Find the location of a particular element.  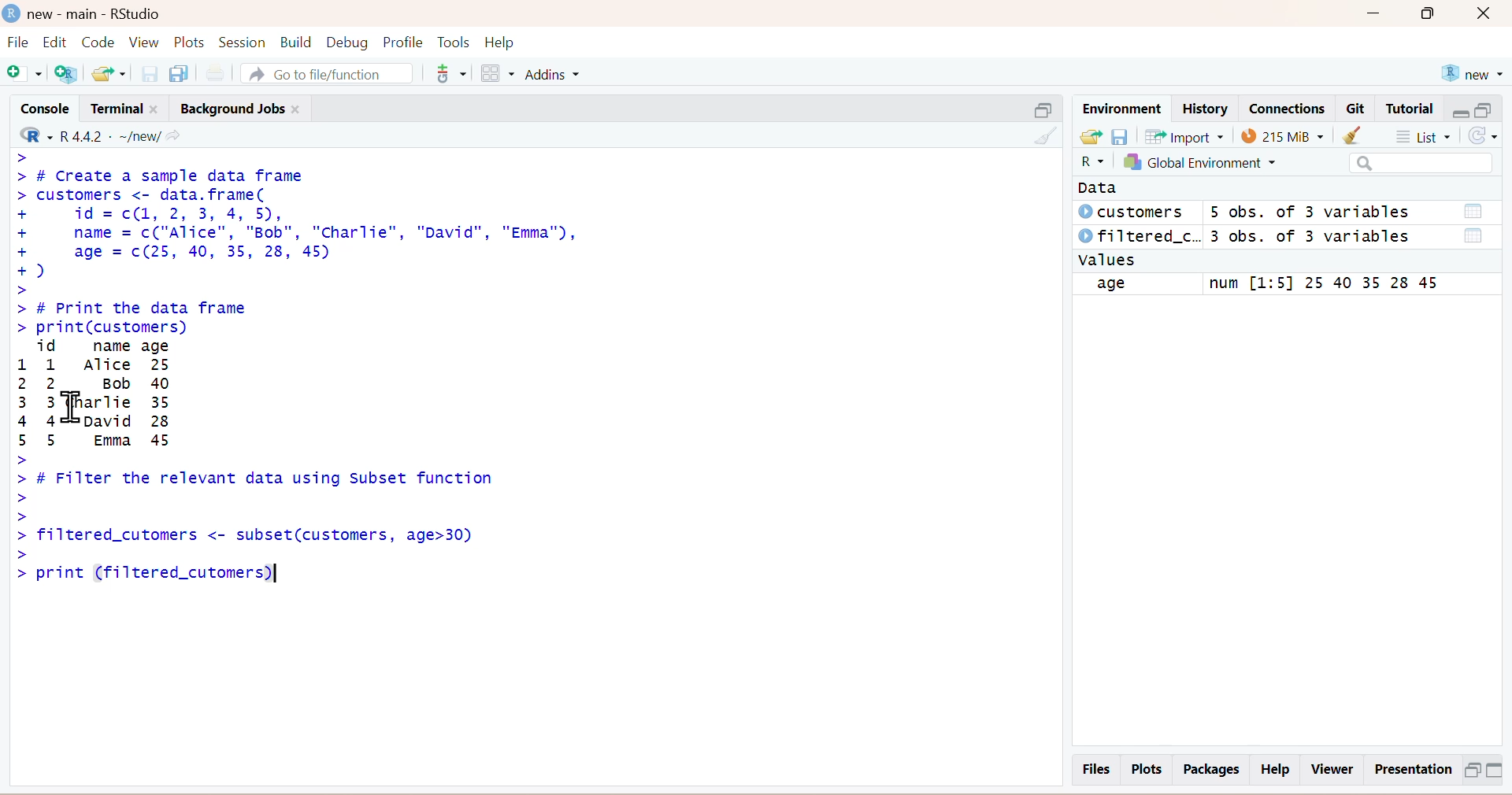

Plots is located at coordinates (191, 42).